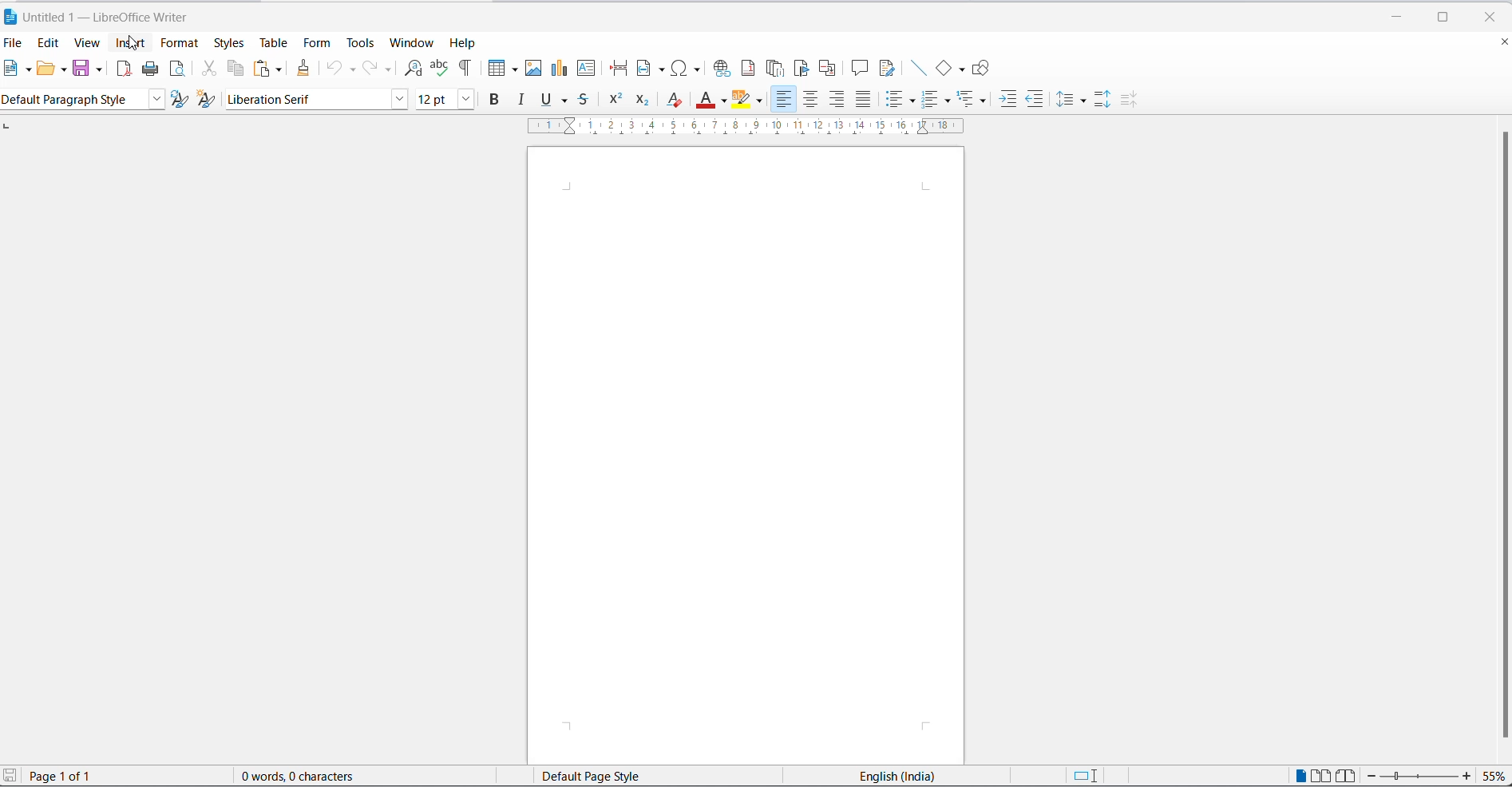 The image size is (1512, 787). I want to click on basic shapes, so click(943, 68).